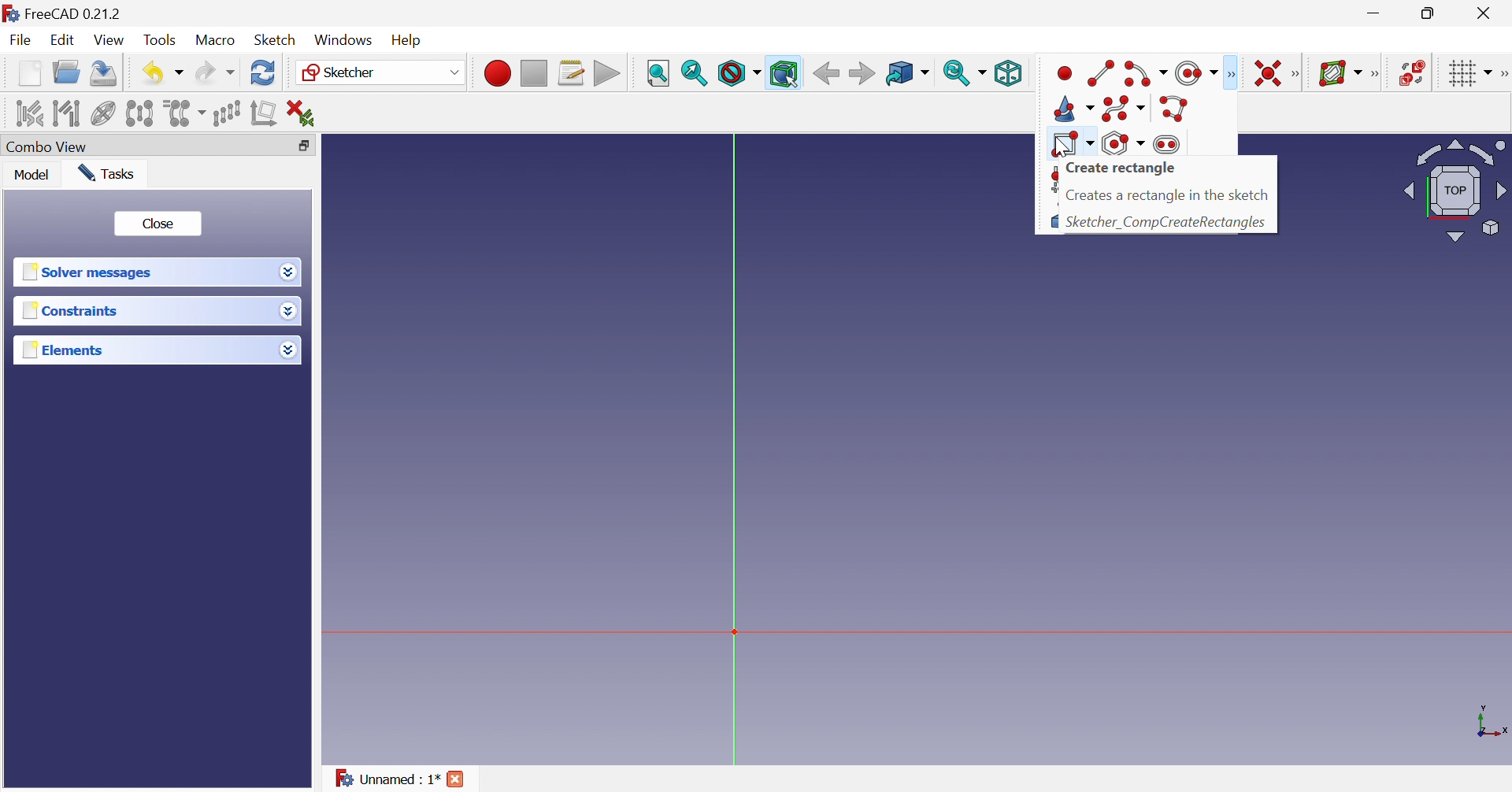 Image resolution: width=1512 pixels, height=792 pixels. Describe the element at coordinates (86, 271) in the screenshot. I see `Solver messages` at that location.